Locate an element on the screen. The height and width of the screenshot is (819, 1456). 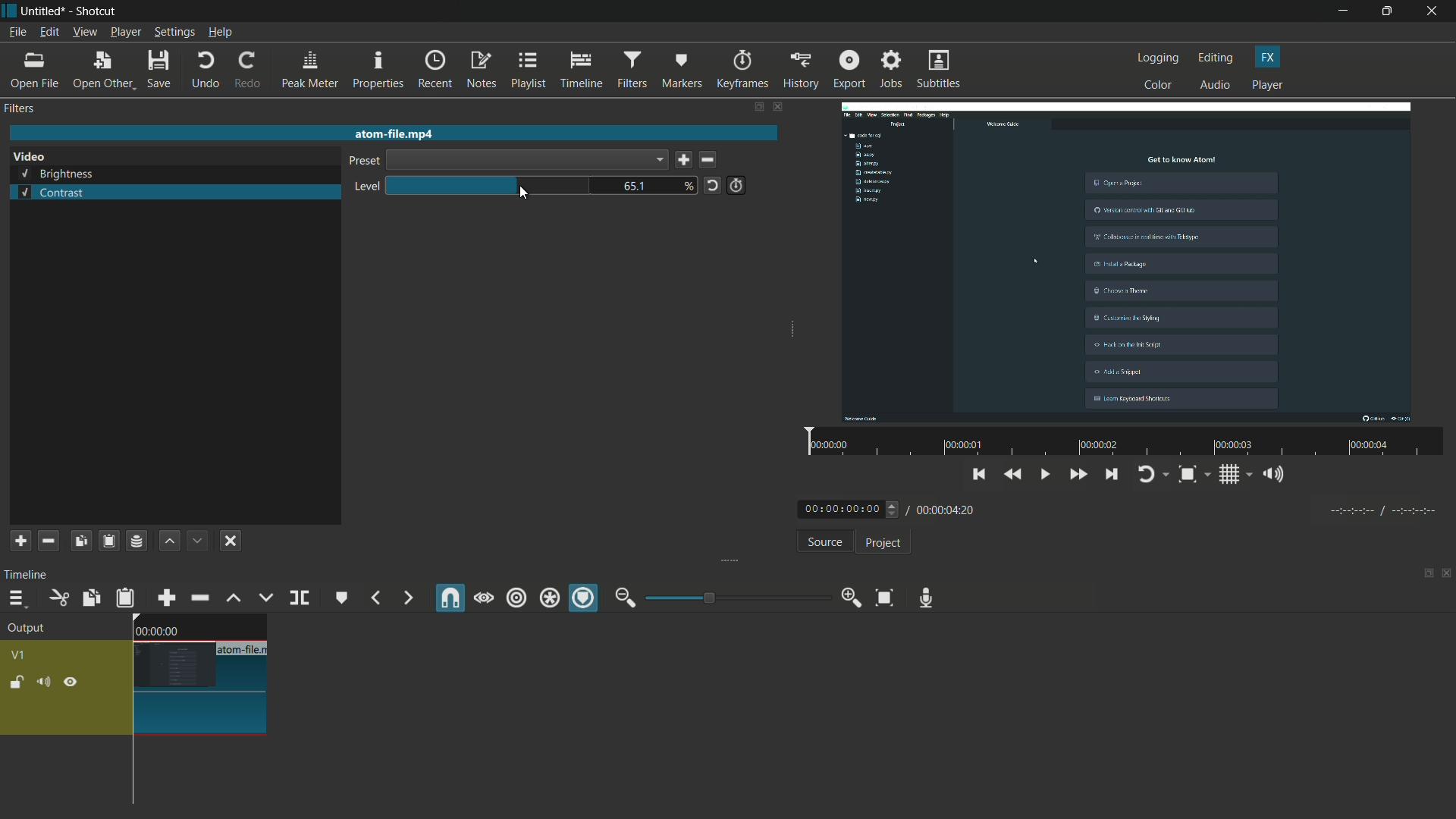
video is located at coordinates (29, 157).